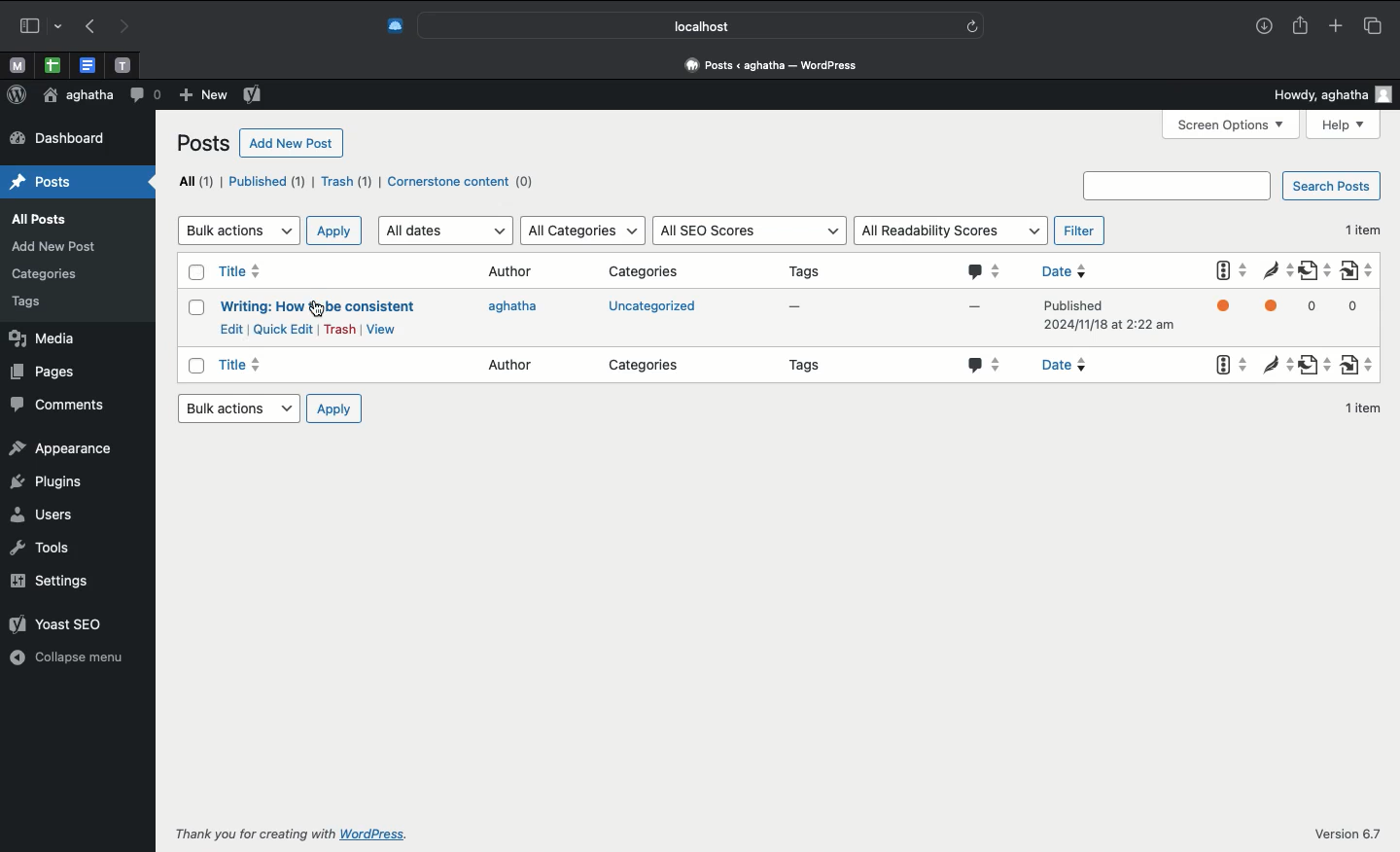 Image resolution: width=1400 pixels, height=852 pixels. What do you see at coordinates (284, 329) in the screenshot?
I see `Quick edit` at bounding box center [284, 329].